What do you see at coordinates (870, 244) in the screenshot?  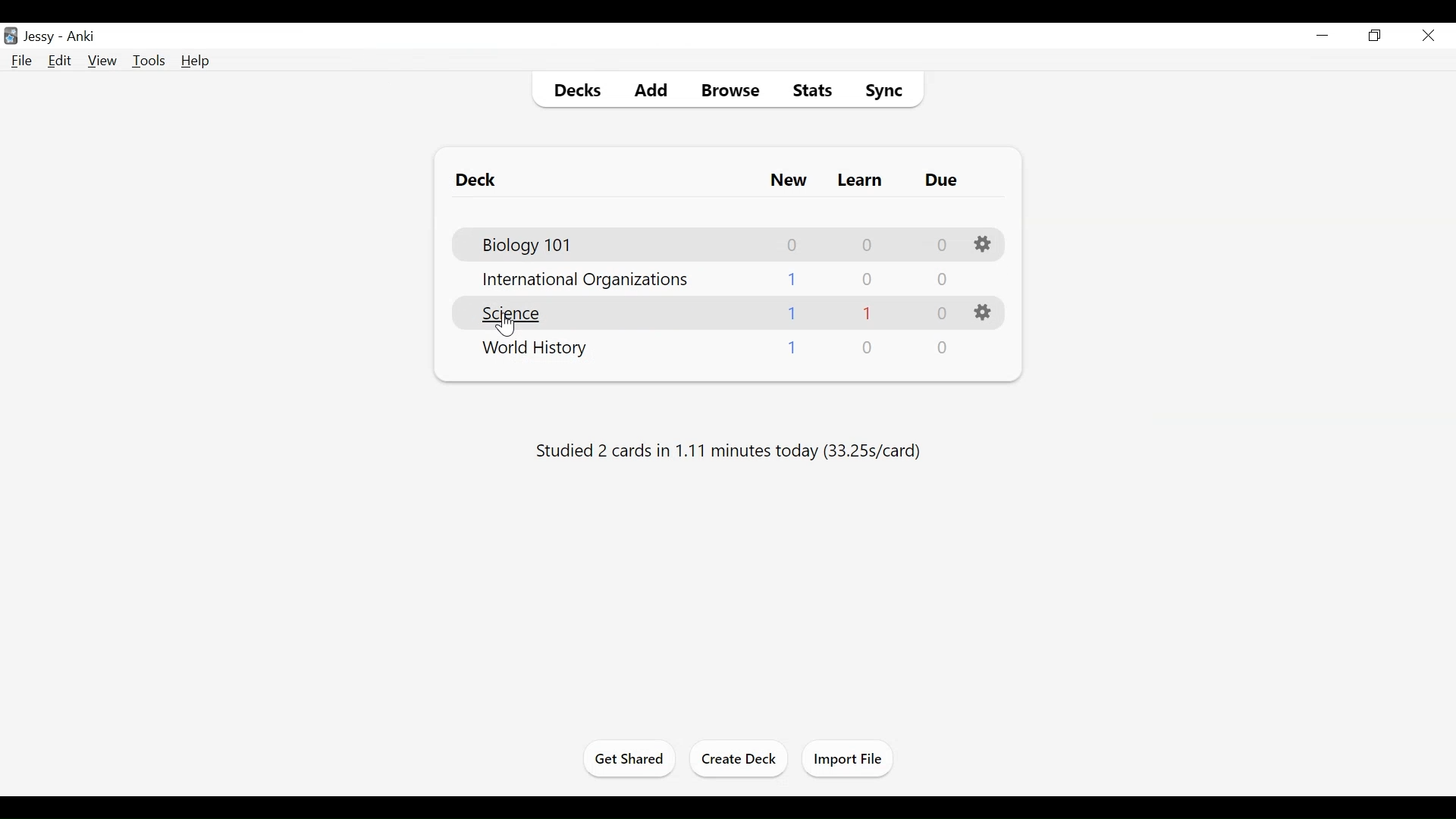 I see `Learn Cards Count` at bounding box center [870, 244].